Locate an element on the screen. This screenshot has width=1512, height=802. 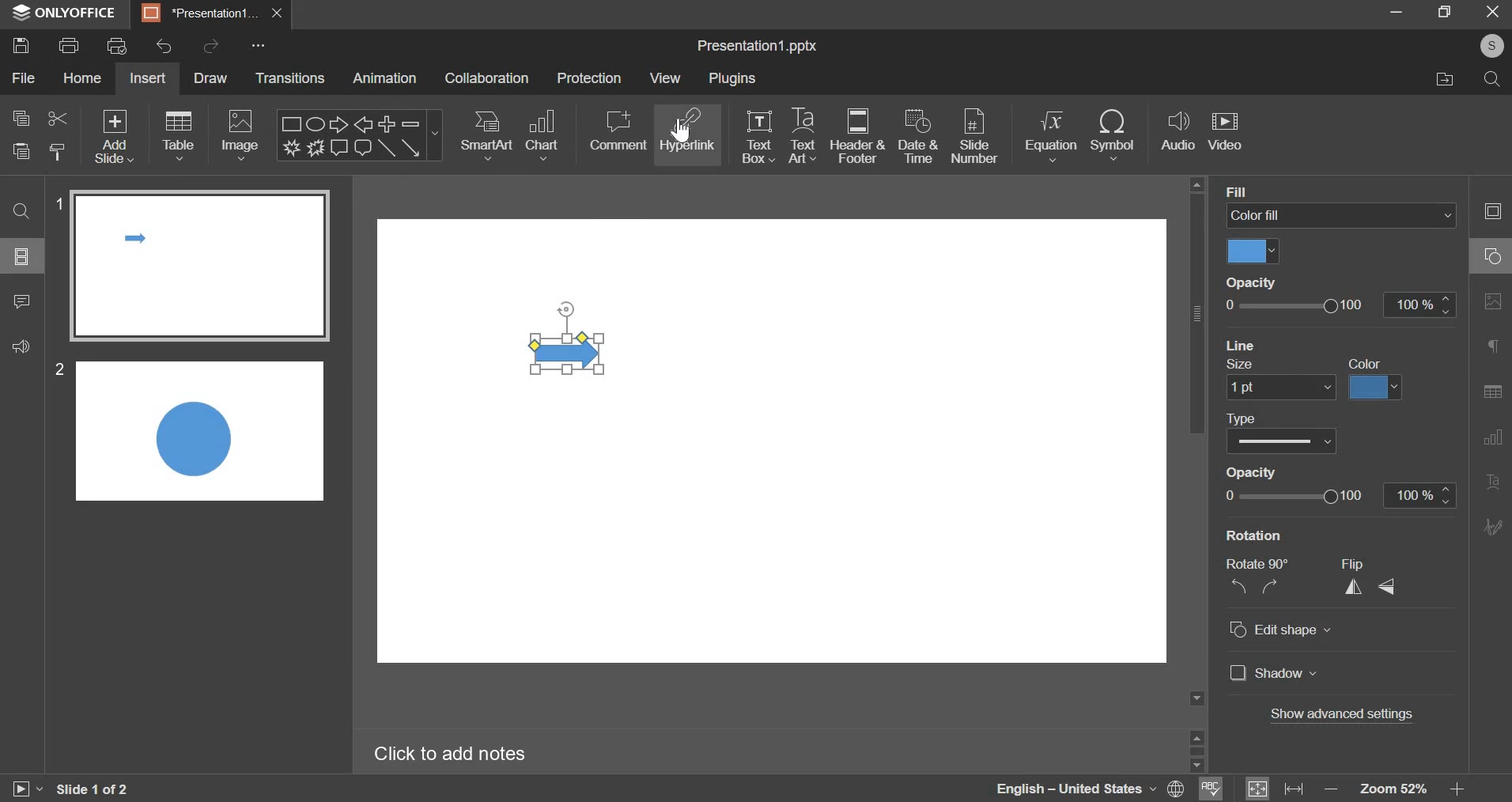
Rectangle is located at coordinates (291, 123).